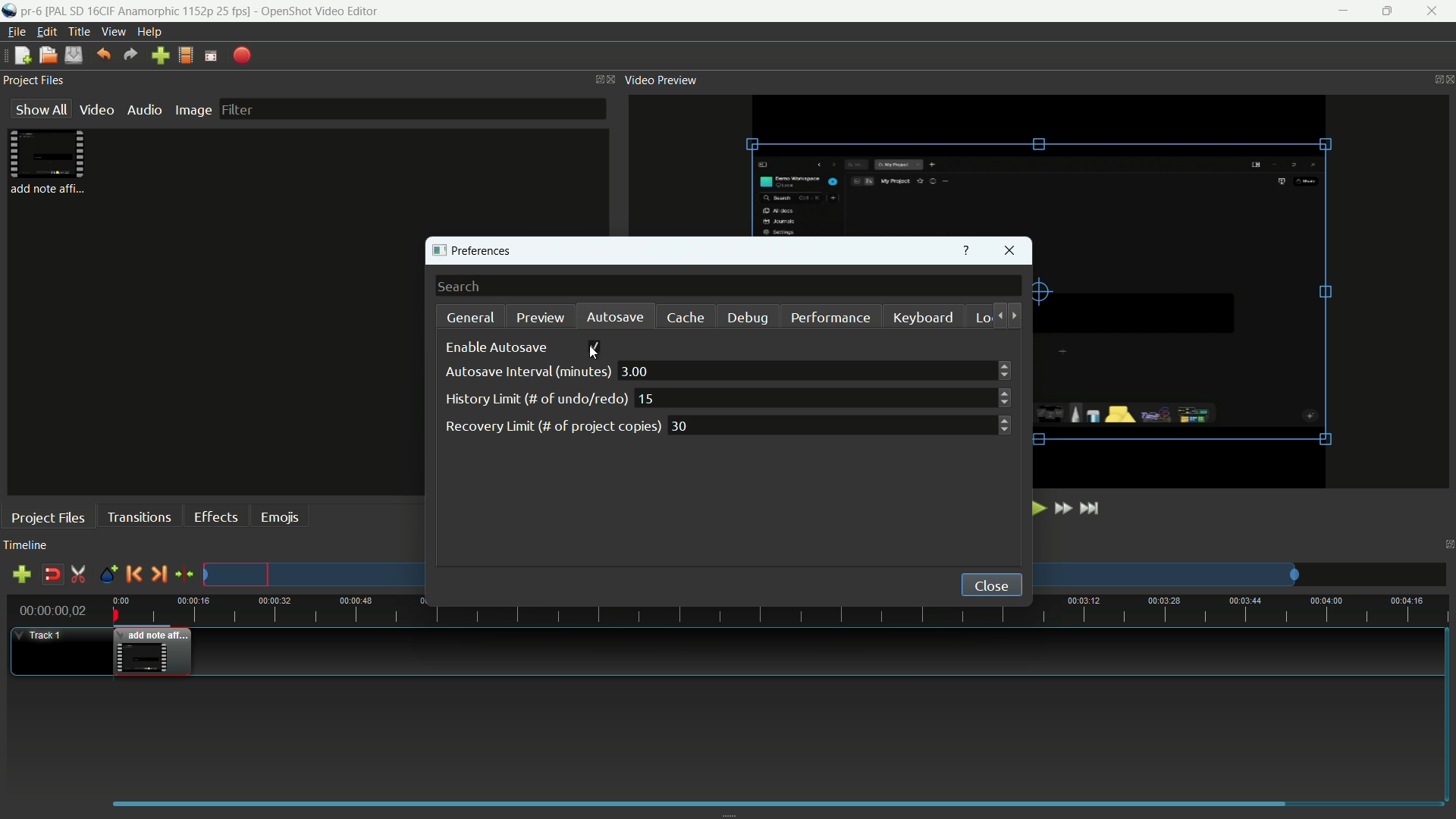 This screenshot has height=819, width=1456. Describe the element at coordinates (594, 350) in the screenshot. I see `cursor` at that location.